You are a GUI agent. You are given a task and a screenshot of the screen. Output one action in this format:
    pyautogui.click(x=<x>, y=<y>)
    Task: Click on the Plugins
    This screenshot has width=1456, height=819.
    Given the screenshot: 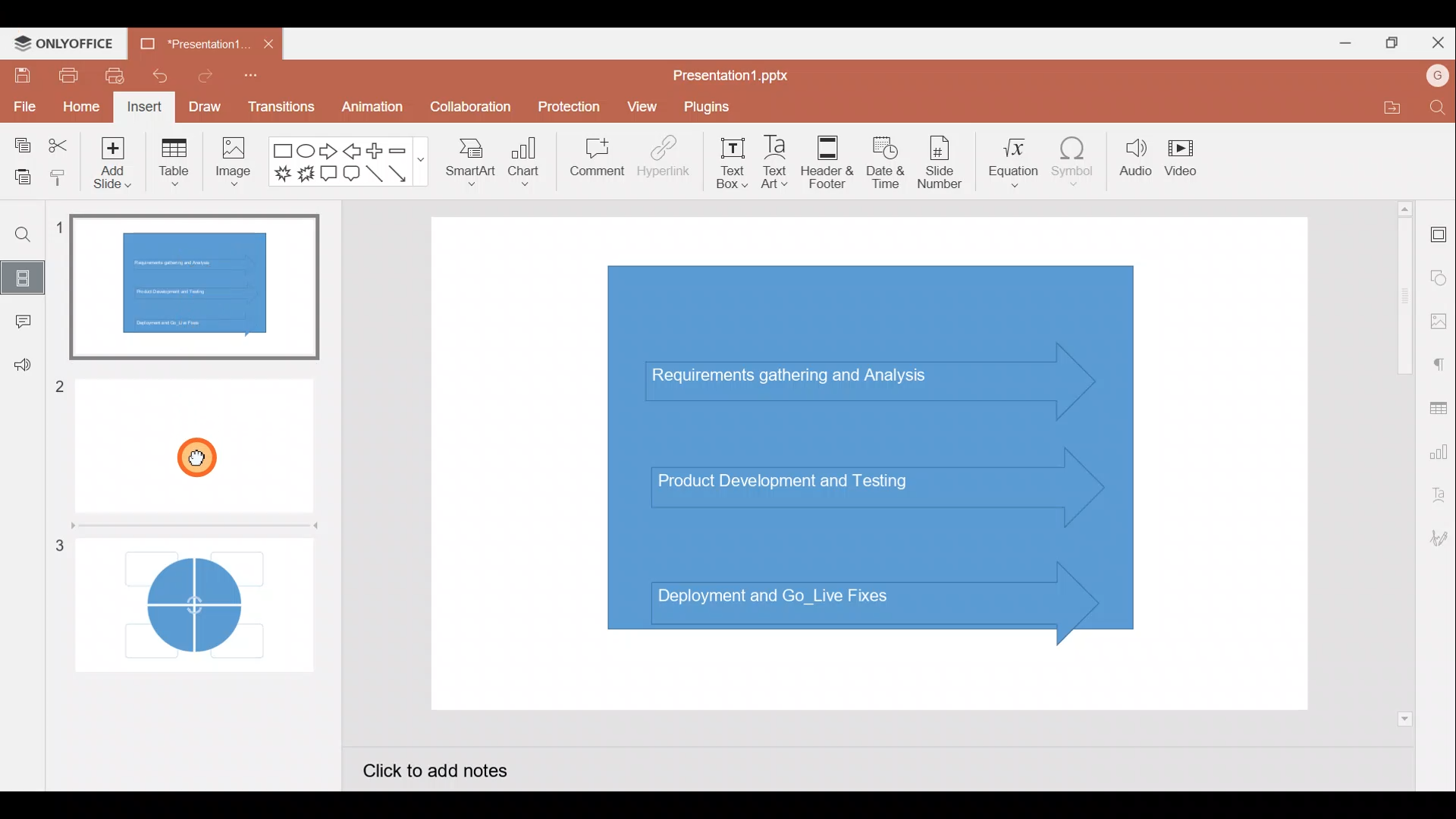 What is the action you would take?
    pyautogui.click(x=714, y=108)
    